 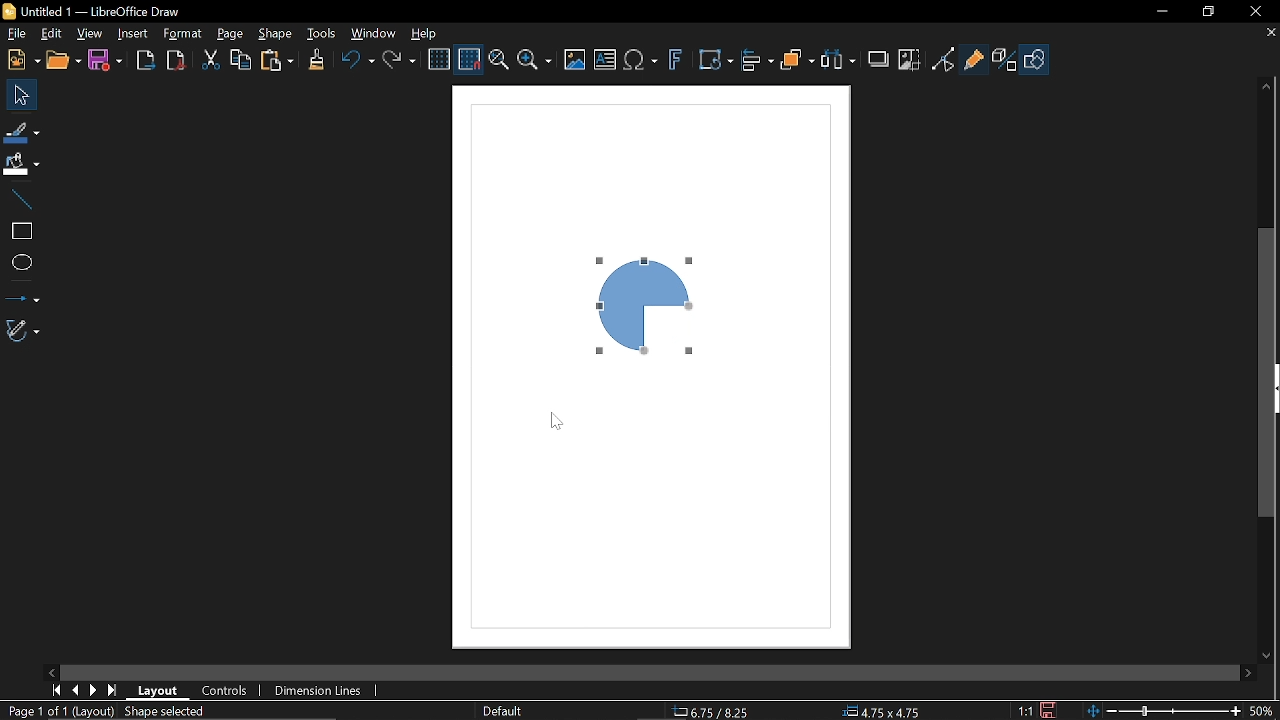 What do you see at coordinates (559, 418) in the screenshot?
I see `cursor` at bounding box center [559, 418].